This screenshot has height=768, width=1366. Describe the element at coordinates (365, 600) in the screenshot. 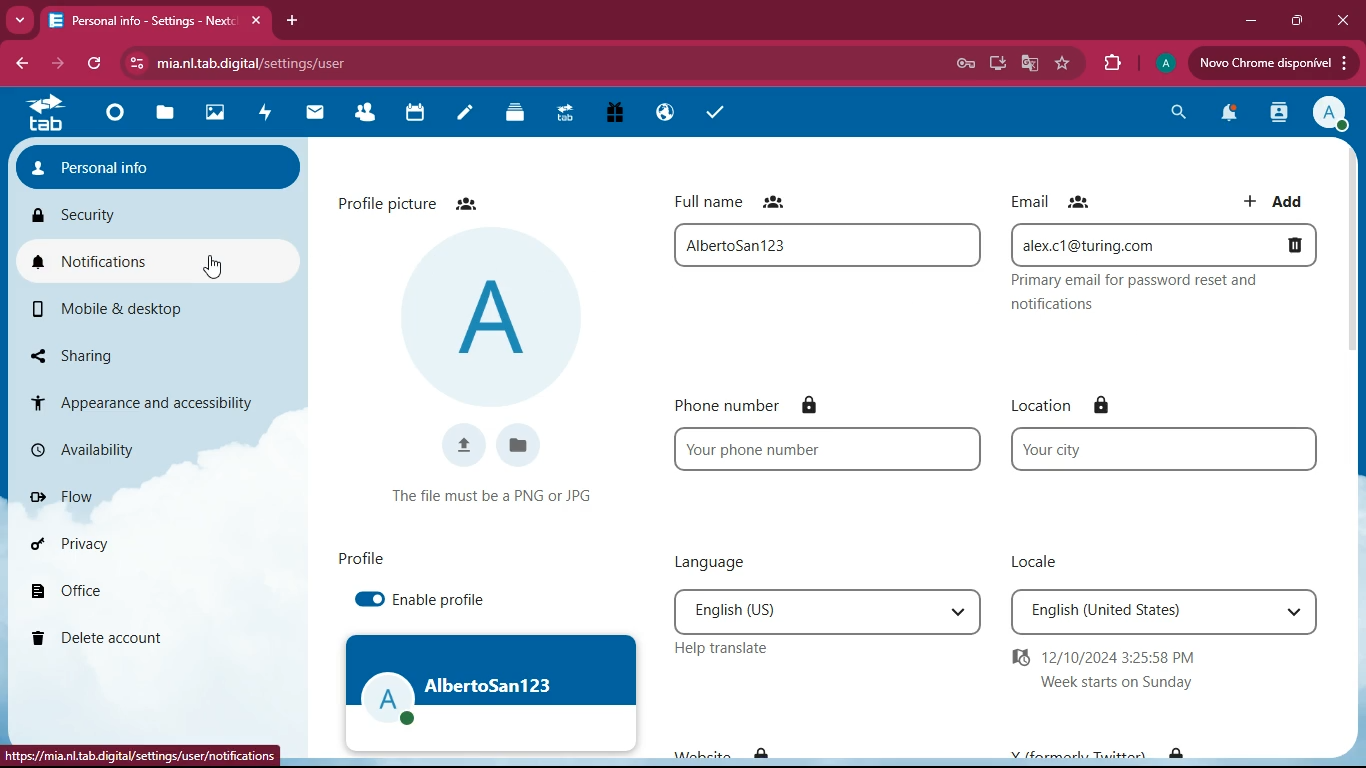

I see `enable` at that location.